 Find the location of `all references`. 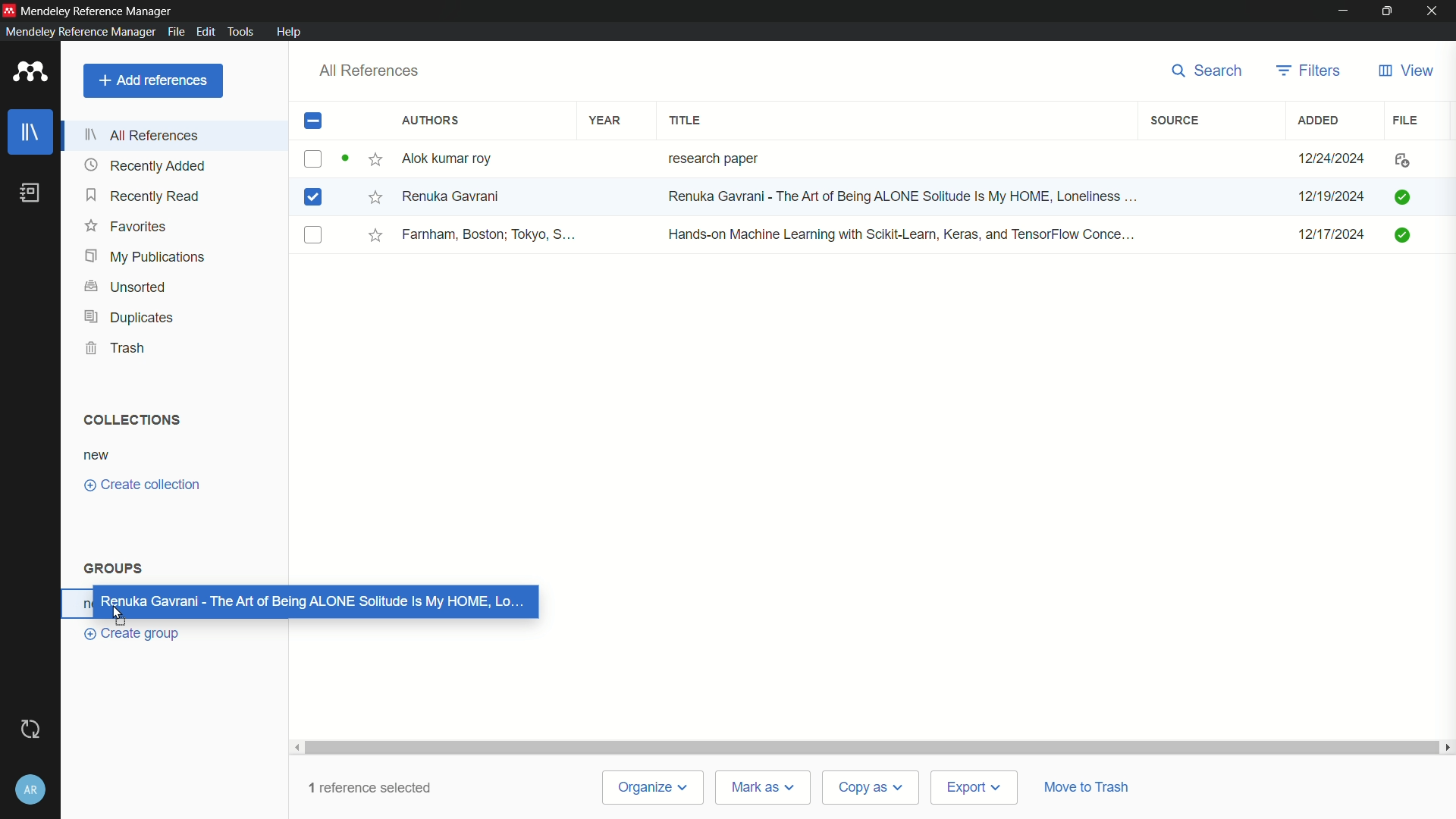

all references is located at coordinates (369, 71).